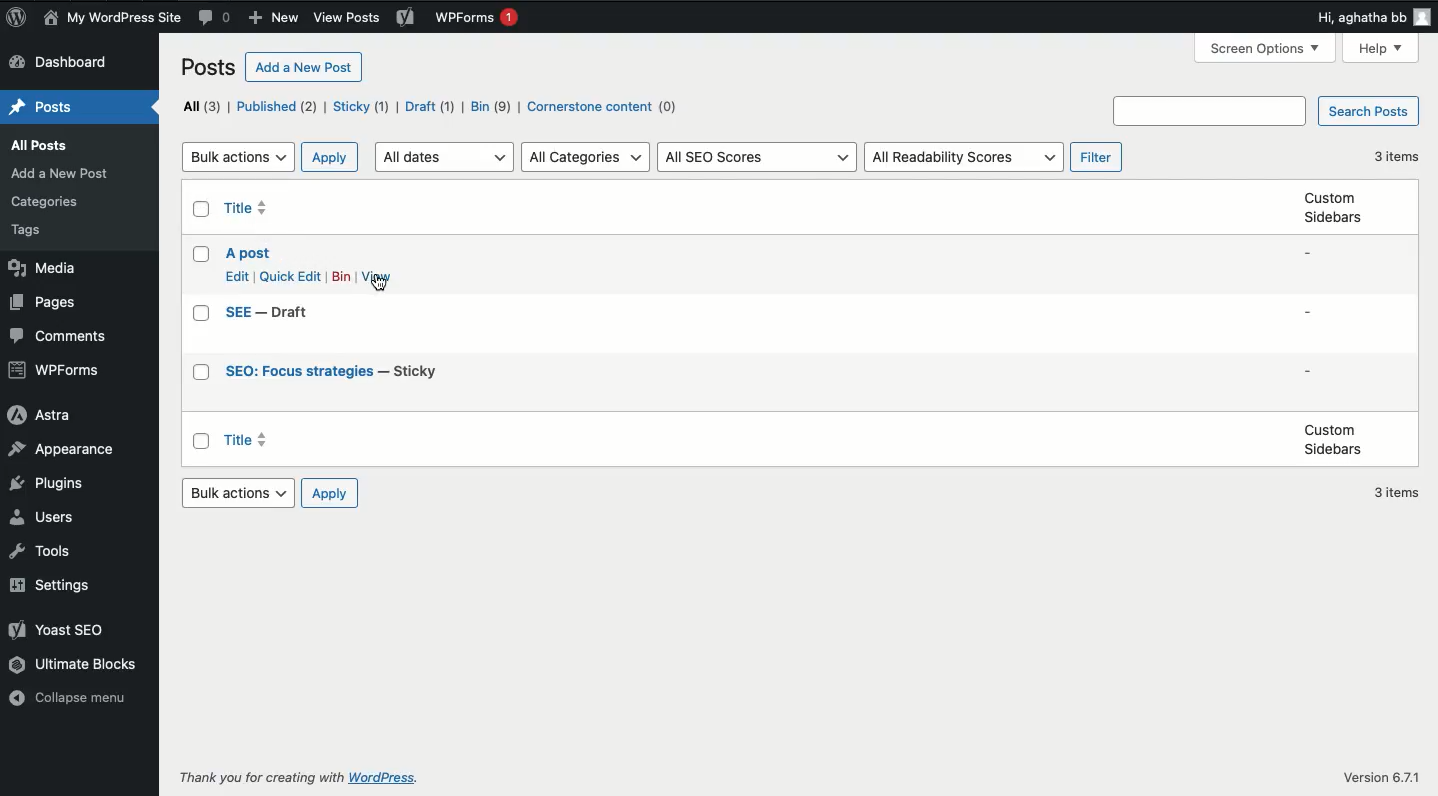 Image resolution: width=1438 pixels, height=796 pixels. What do you see at coordinates (238, 158) in the screenshot?
I see `Bulk actions` at bounding box center [238, 158].